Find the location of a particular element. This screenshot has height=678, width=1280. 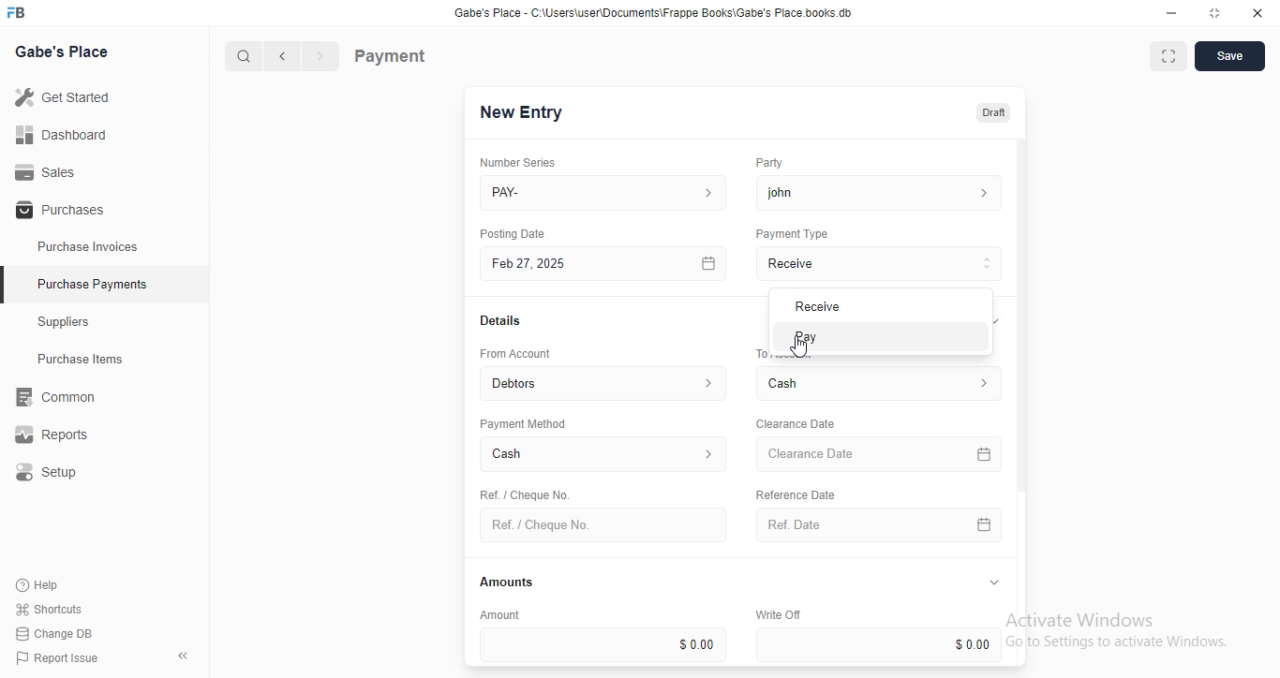

vertical scroll bar is located at coordinates (1022, 403).